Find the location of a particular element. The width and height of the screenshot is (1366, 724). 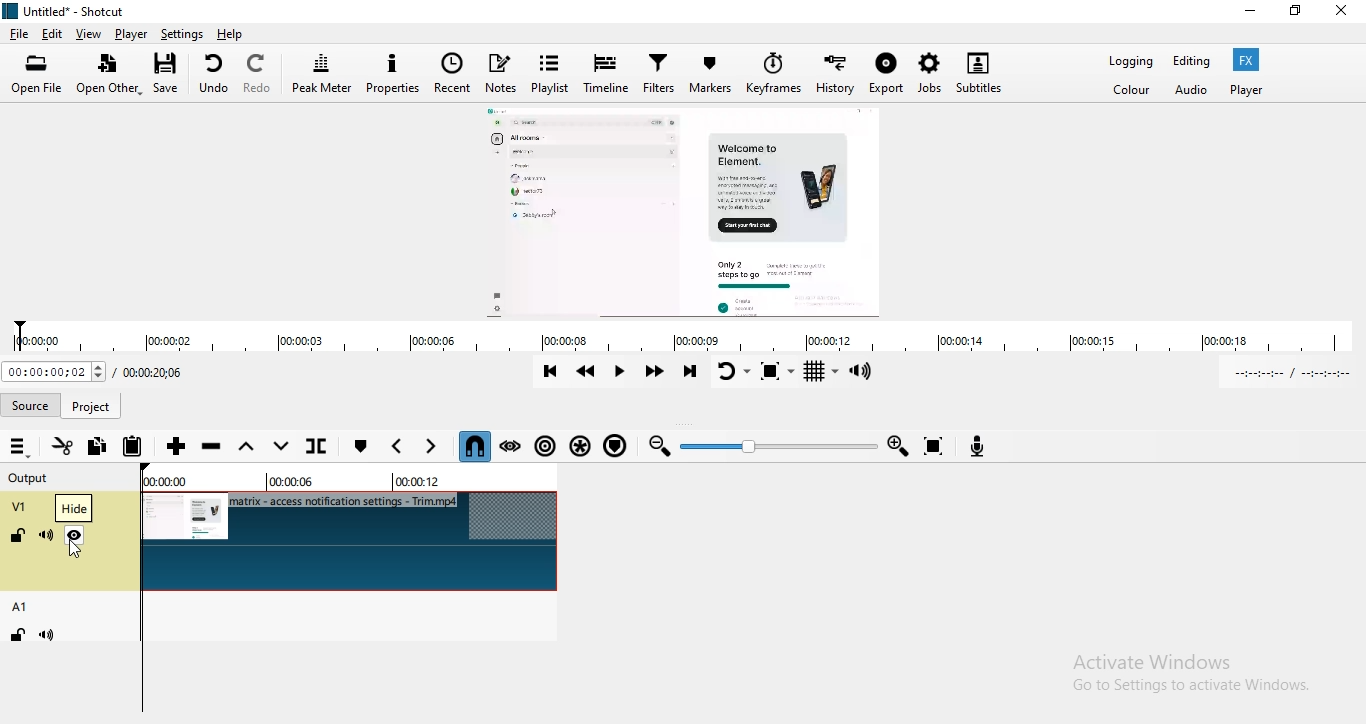

Ripple is located at coordinates (544, 450).